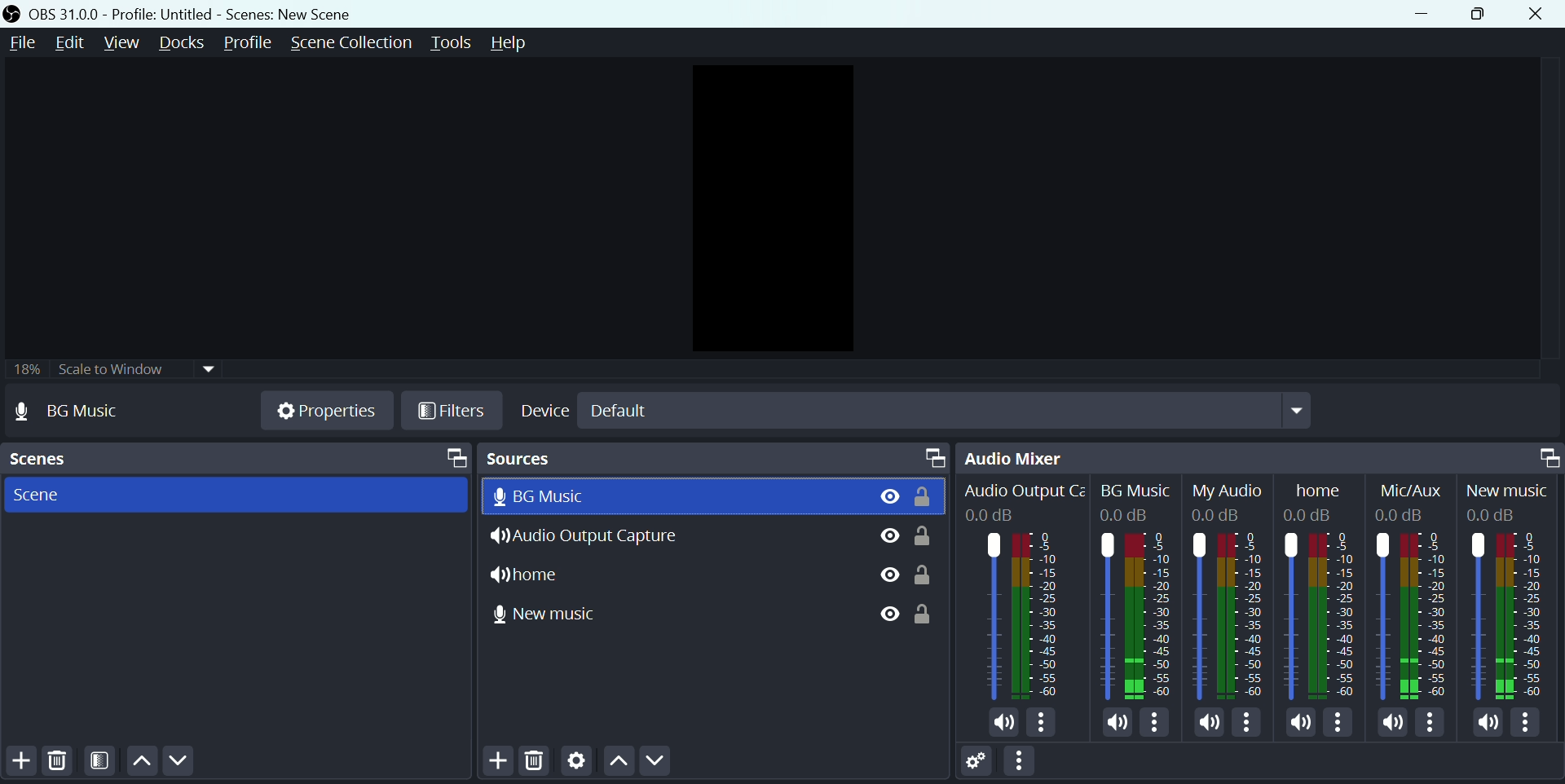  Describe the element at coordinates (1524, 725) in the screenshot. I see `more` at that location.